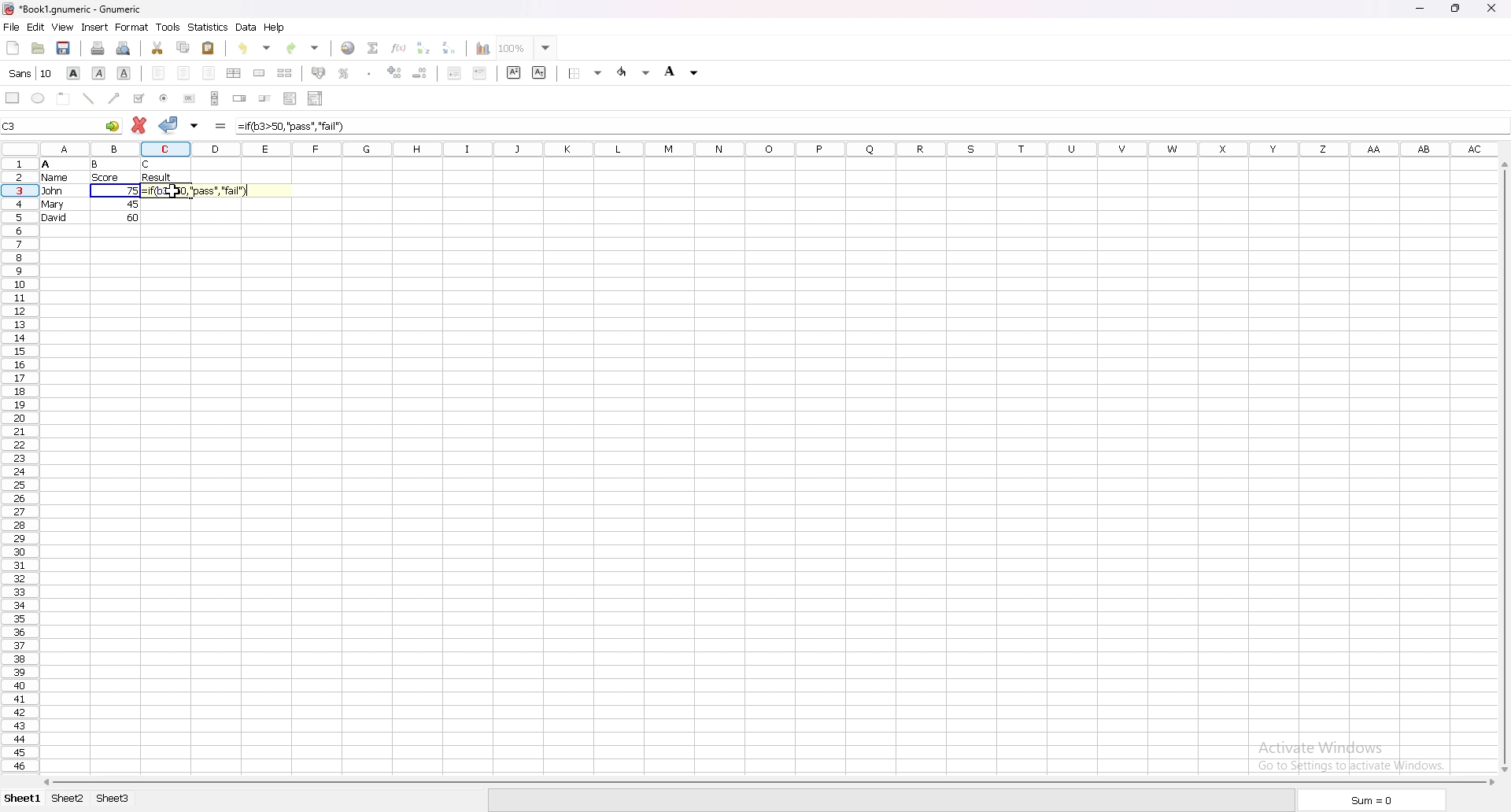 The image size is (1511, 812). I want to click on sheet 1, so click(20, 800).